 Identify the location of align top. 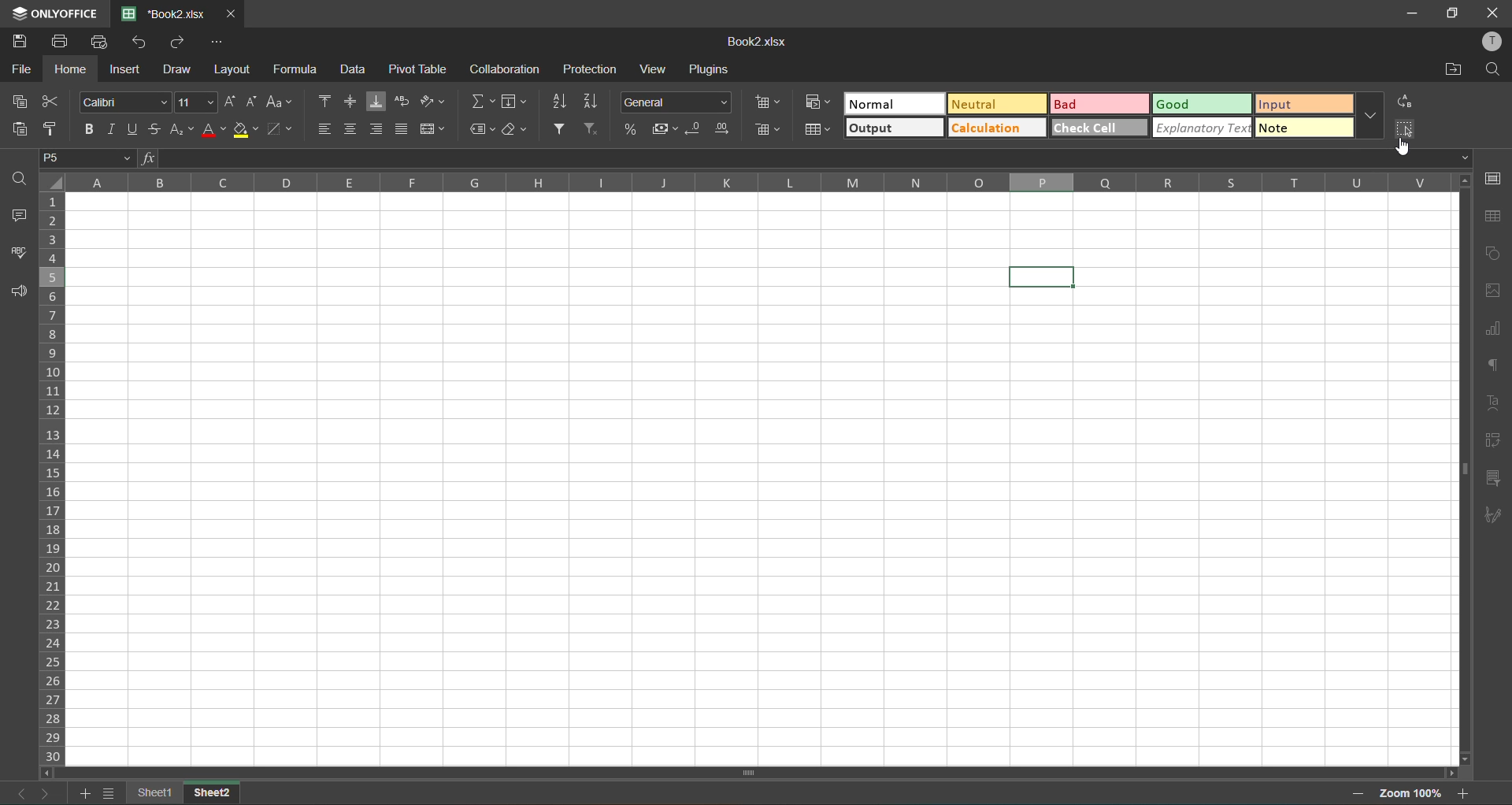
(326, 99).